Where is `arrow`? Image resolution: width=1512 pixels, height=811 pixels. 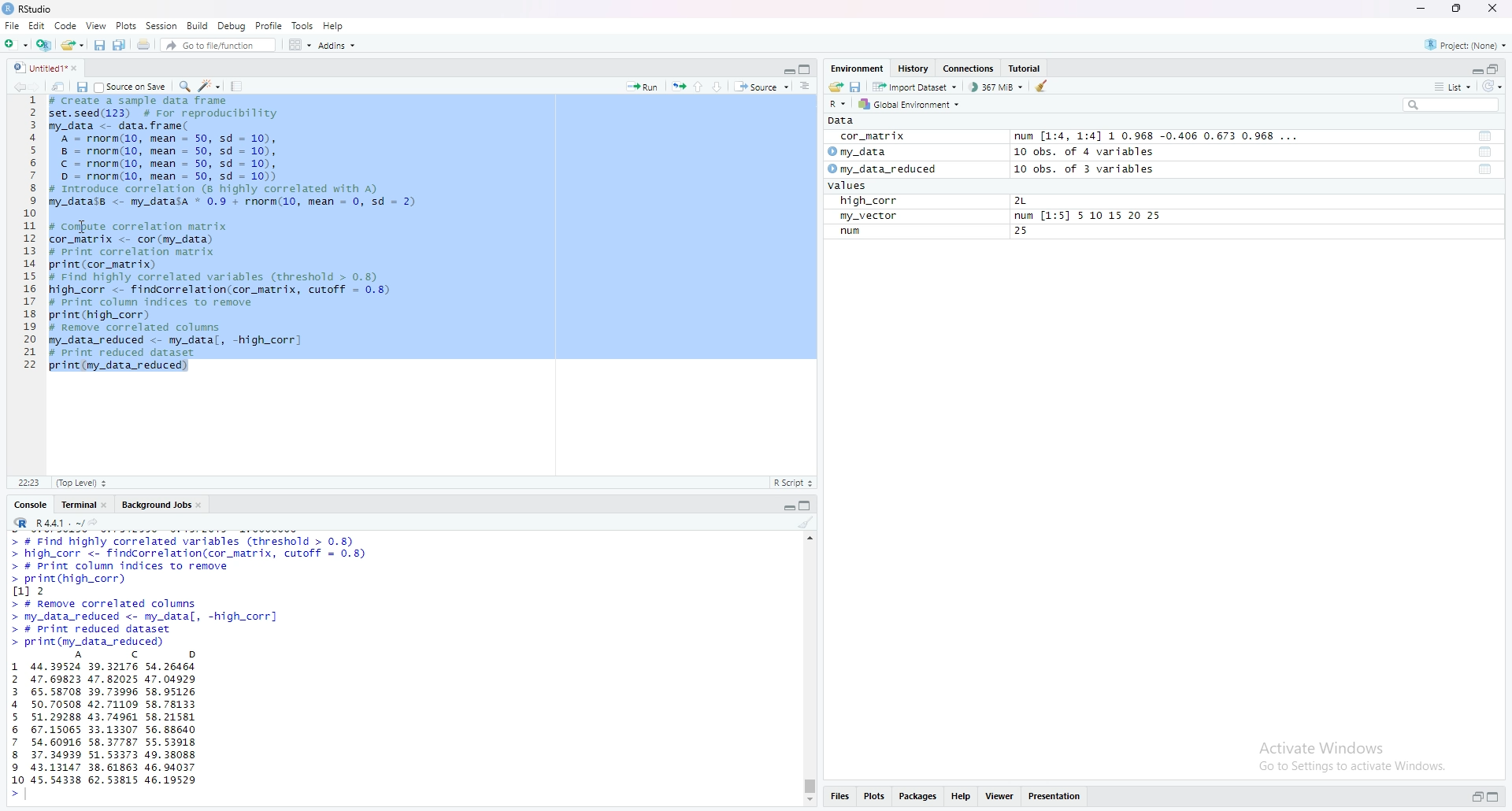
arrow is located at coordinates (14, 792).